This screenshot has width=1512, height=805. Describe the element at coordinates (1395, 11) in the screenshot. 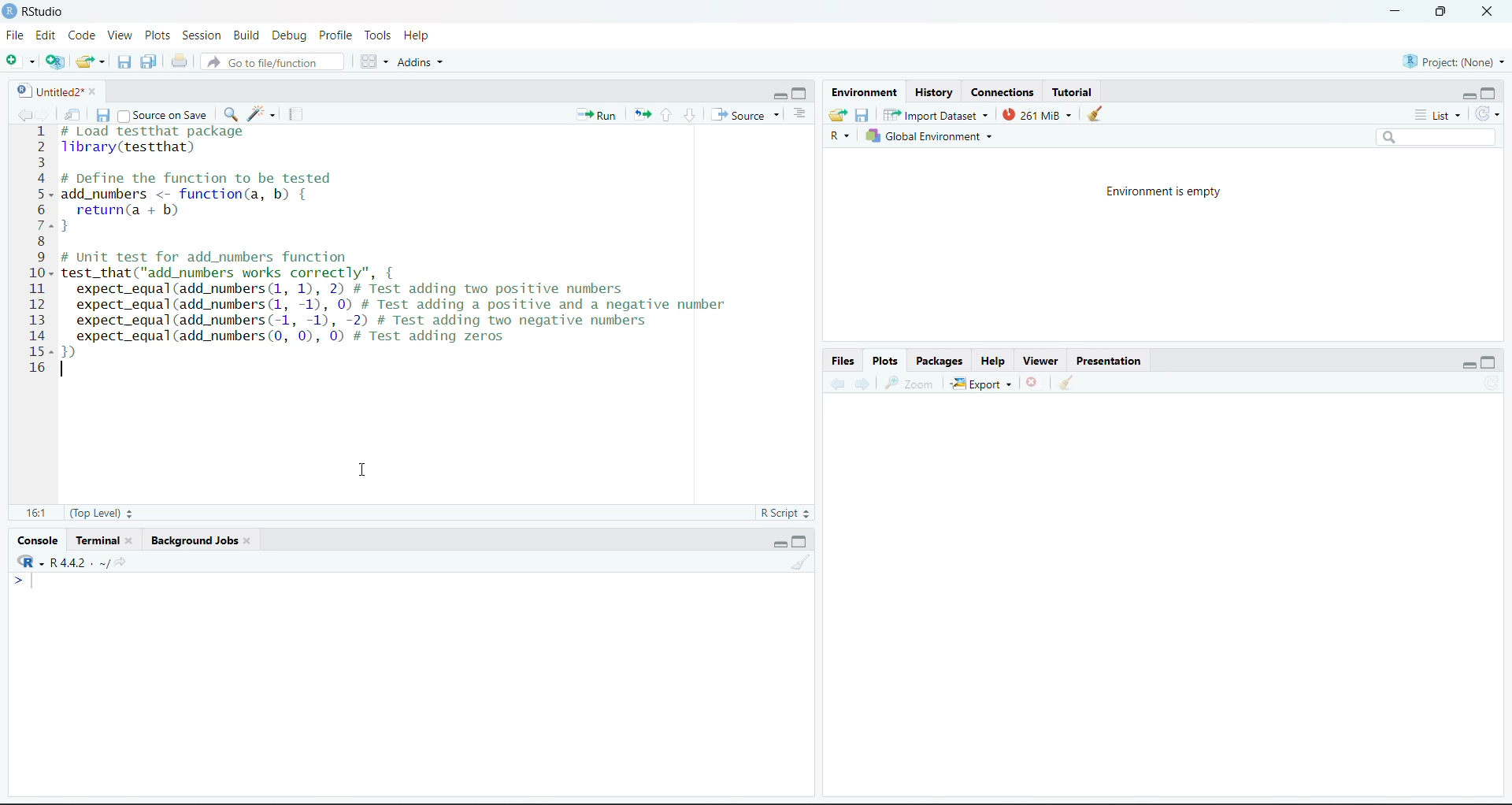

I see `minimize` at that location.